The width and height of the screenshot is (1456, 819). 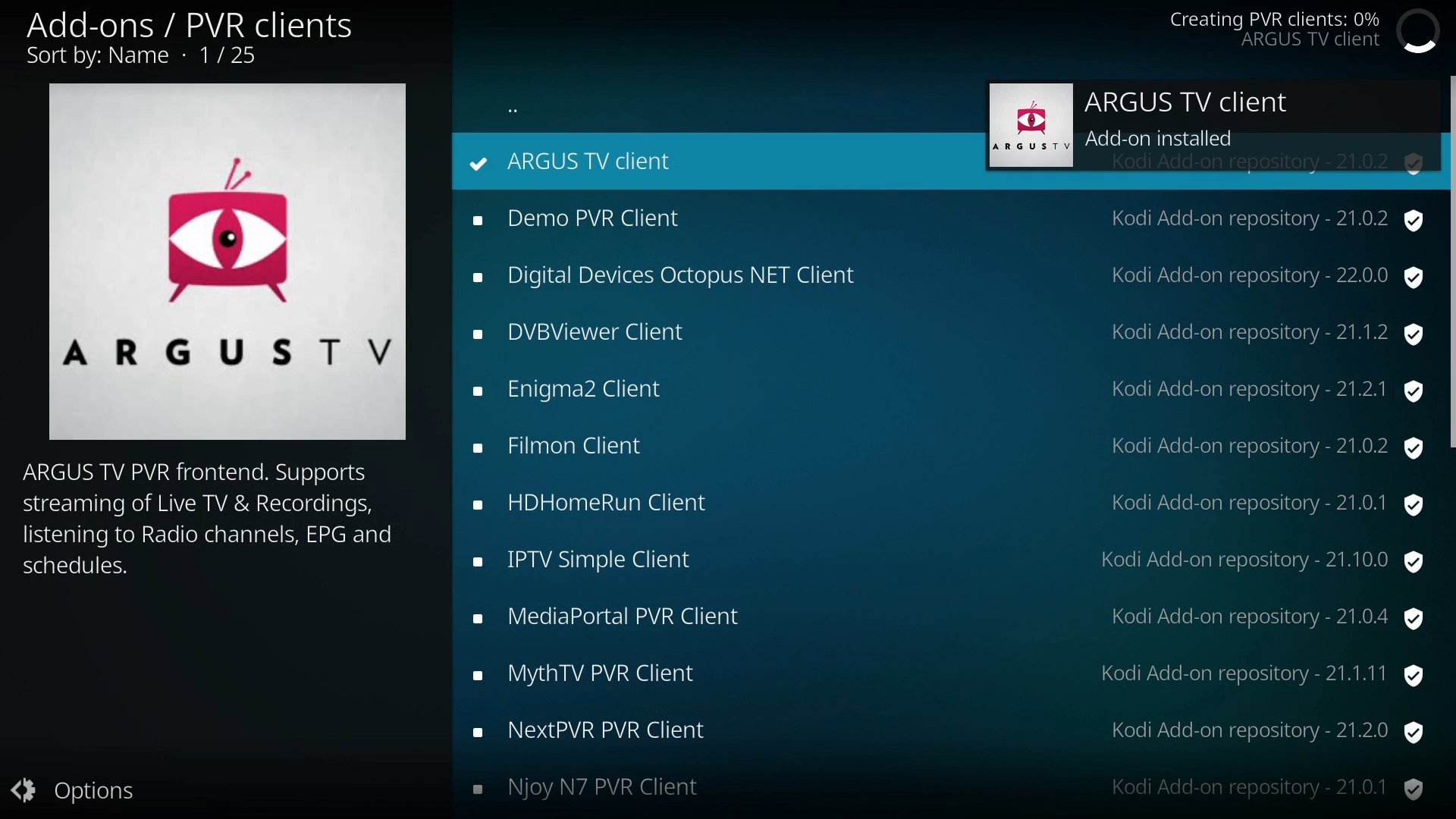 I want to click on Creating PVR clients: 0%
ARGUS TV client, so click(x=1275, y=32).